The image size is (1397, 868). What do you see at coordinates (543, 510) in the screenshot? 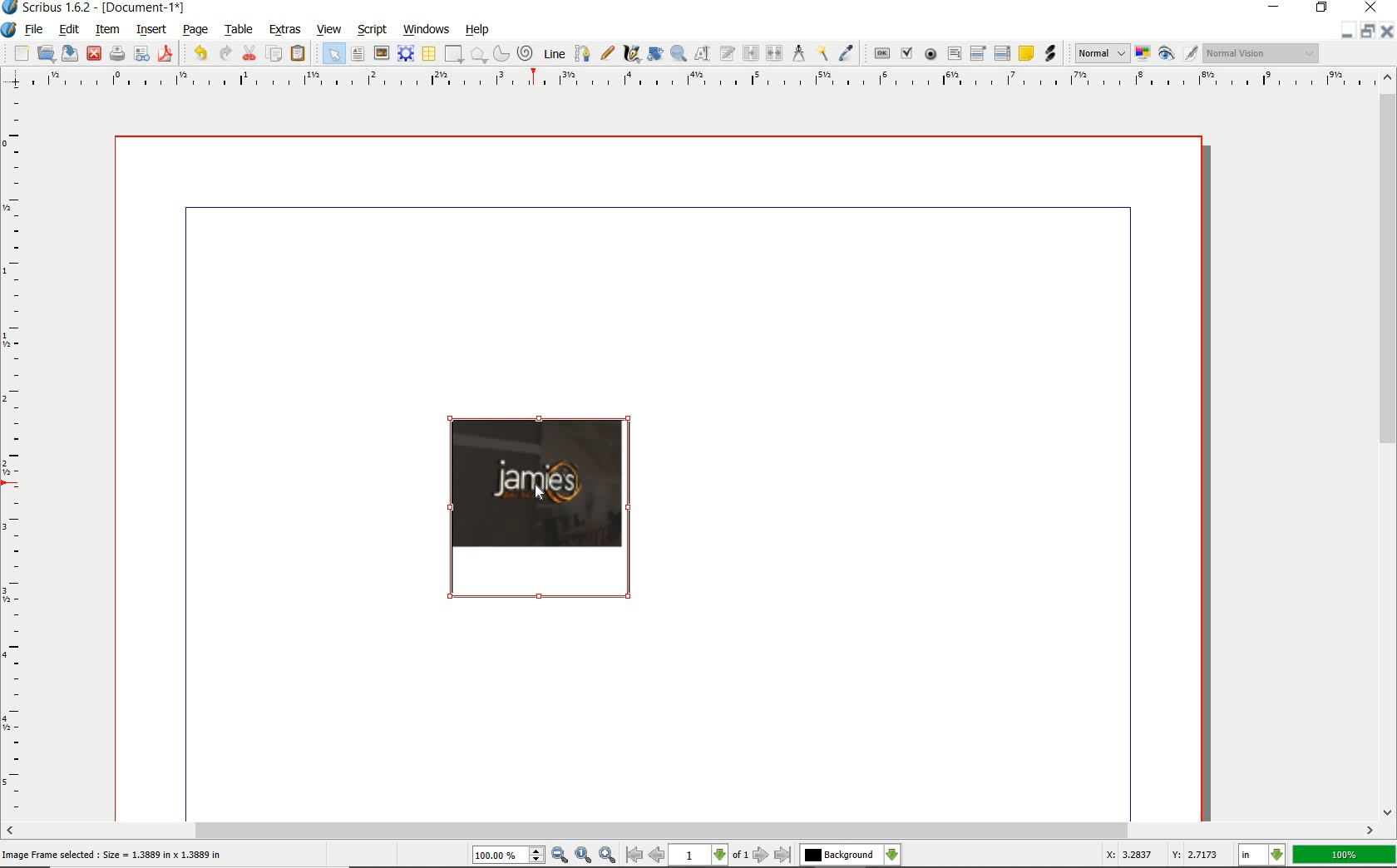
I see `image and frame selected` at bounding box center [543, 510].